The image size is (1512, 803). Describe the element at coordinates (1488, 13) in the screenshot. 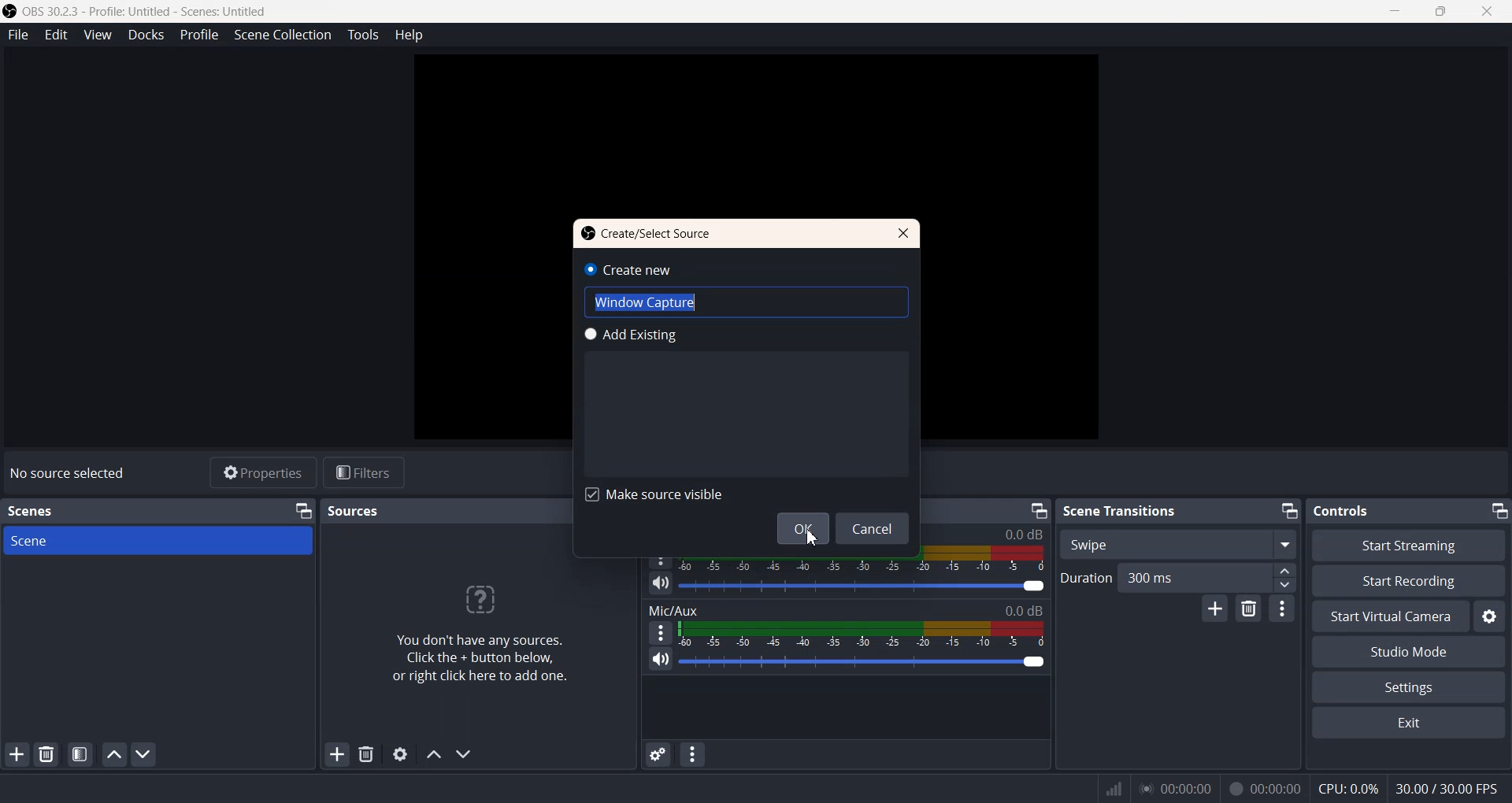

I see `Close` at that location.